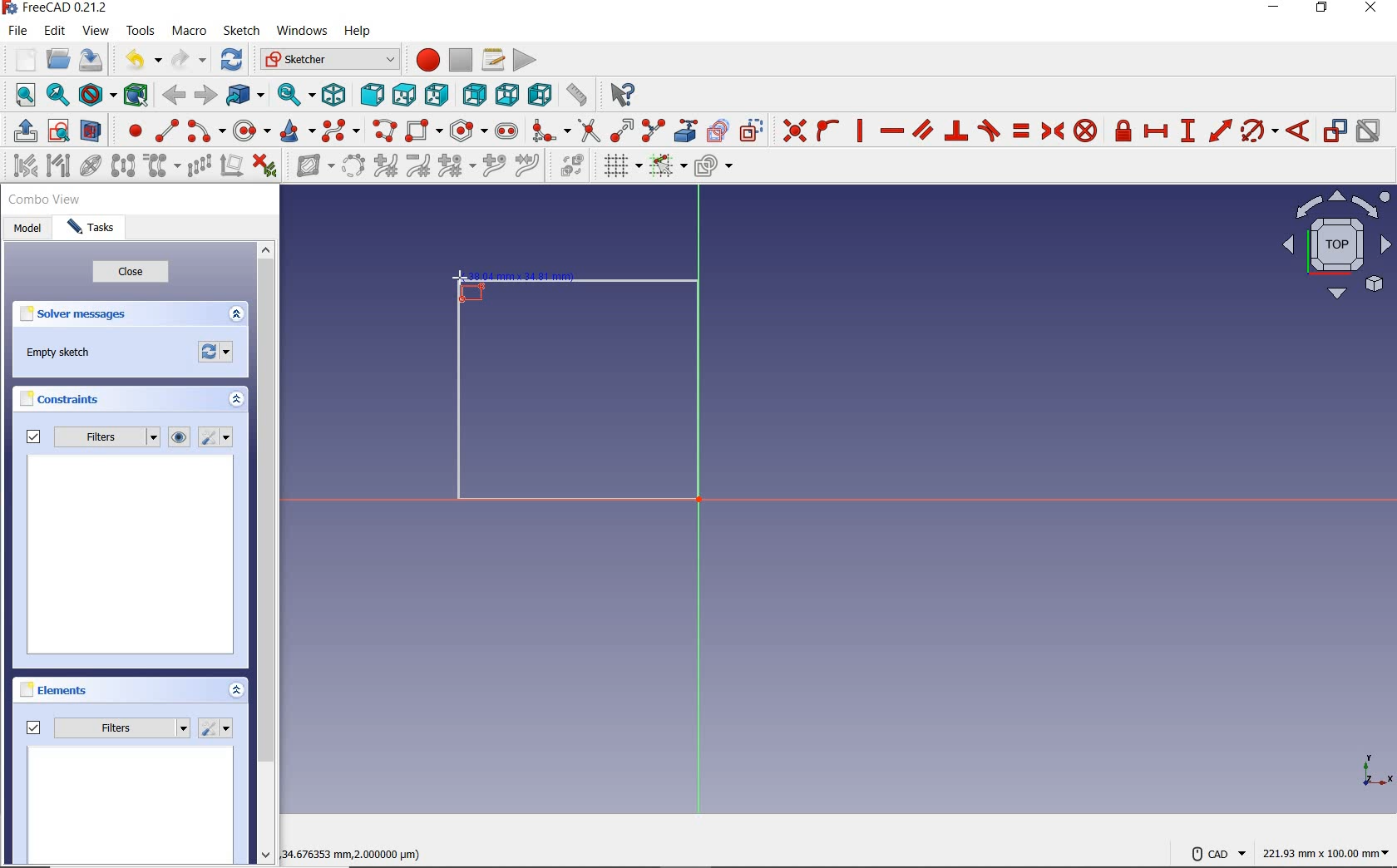  Describe the element at coordinates (419, 168) in the screenshot. I see `decrease B-Spline degree` at that location.